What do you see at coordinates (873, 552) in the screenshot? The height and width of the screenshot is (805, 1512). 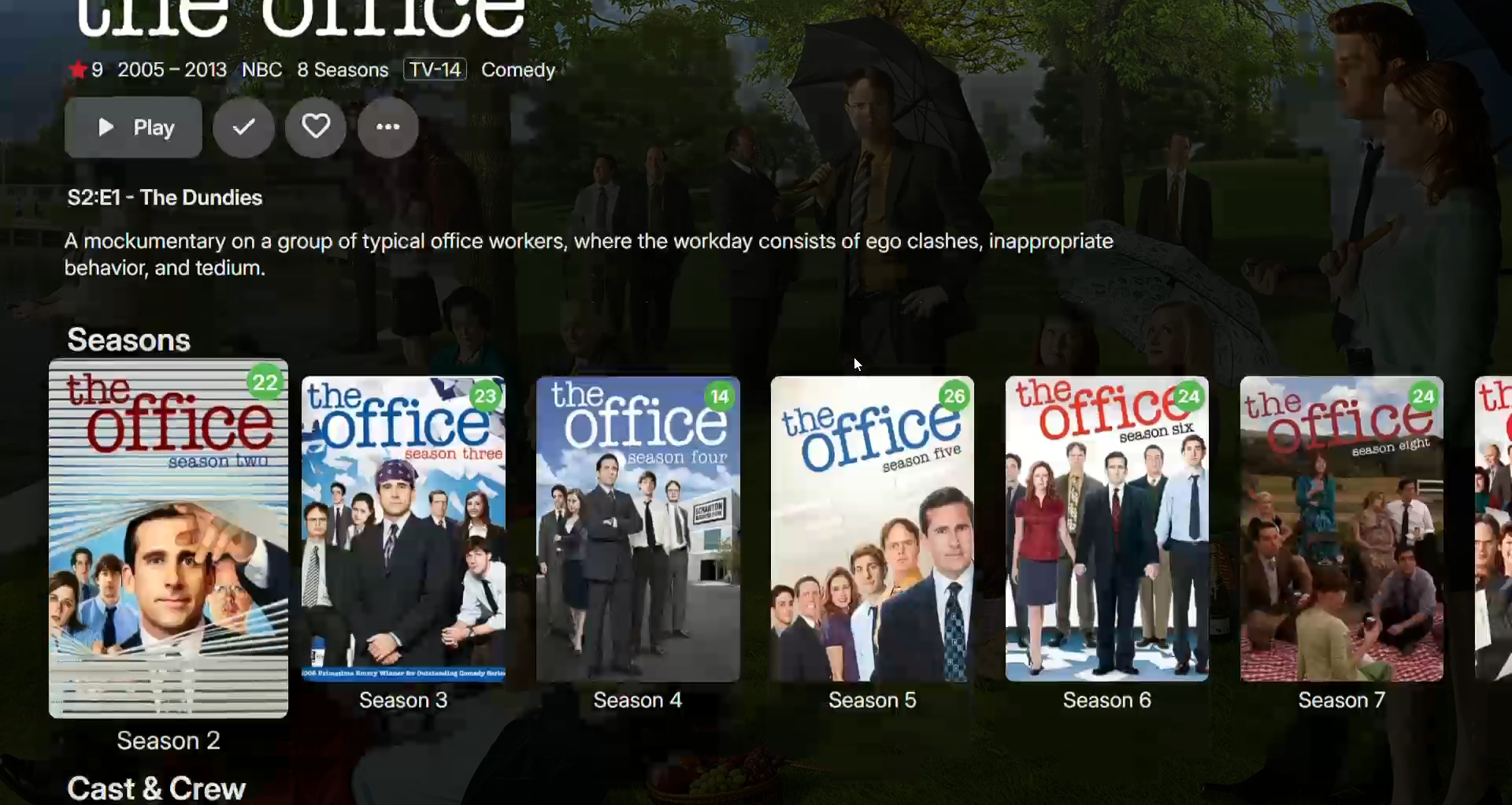 I see `Season 5` at bounding box center [873, 552].